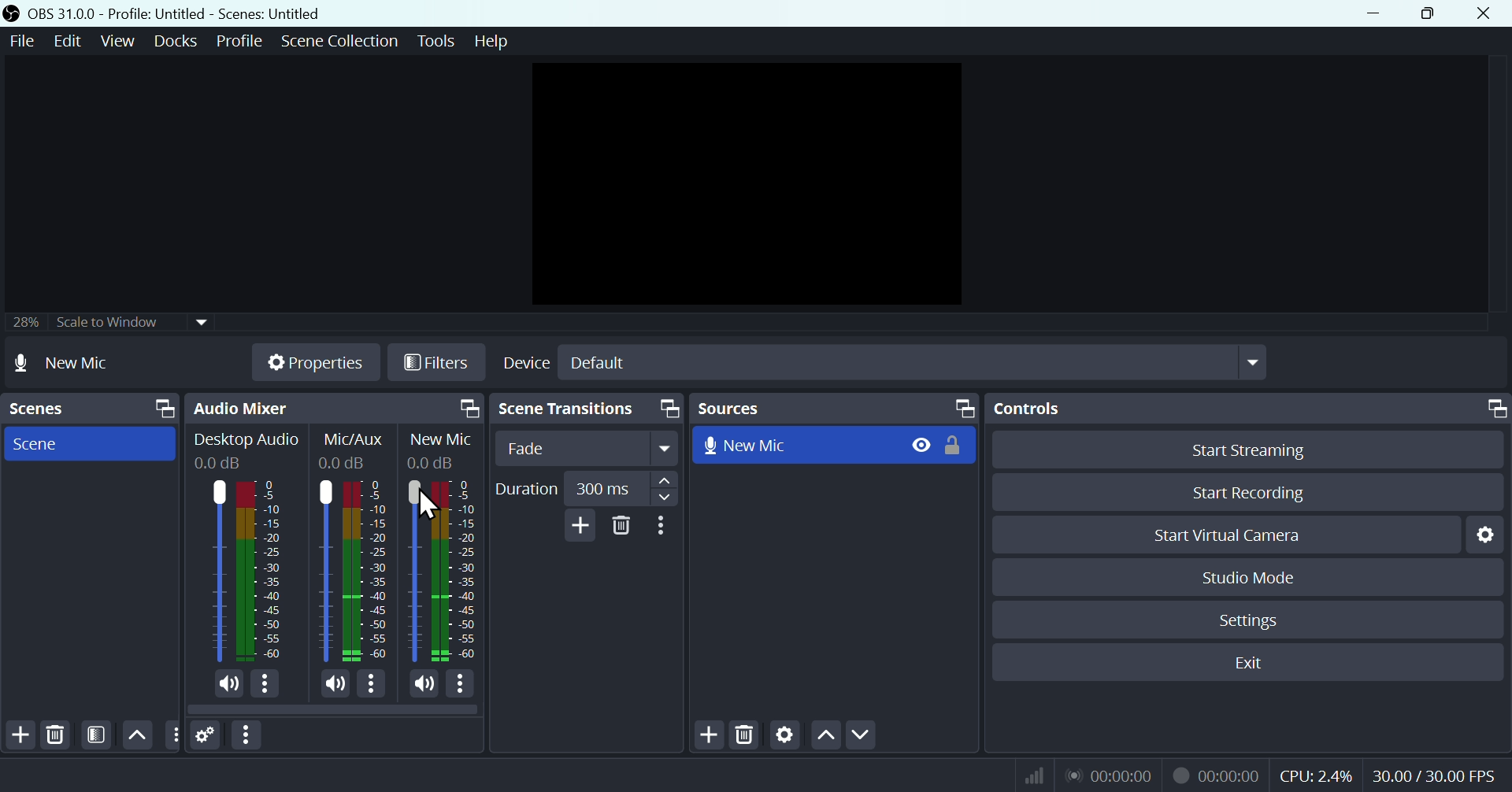 Image resolution: width=1512 pixels, height=792 pixels. What do you see at coordinates (357, 439) in the screenshot?
I see `` at bounding box center [357, 439].